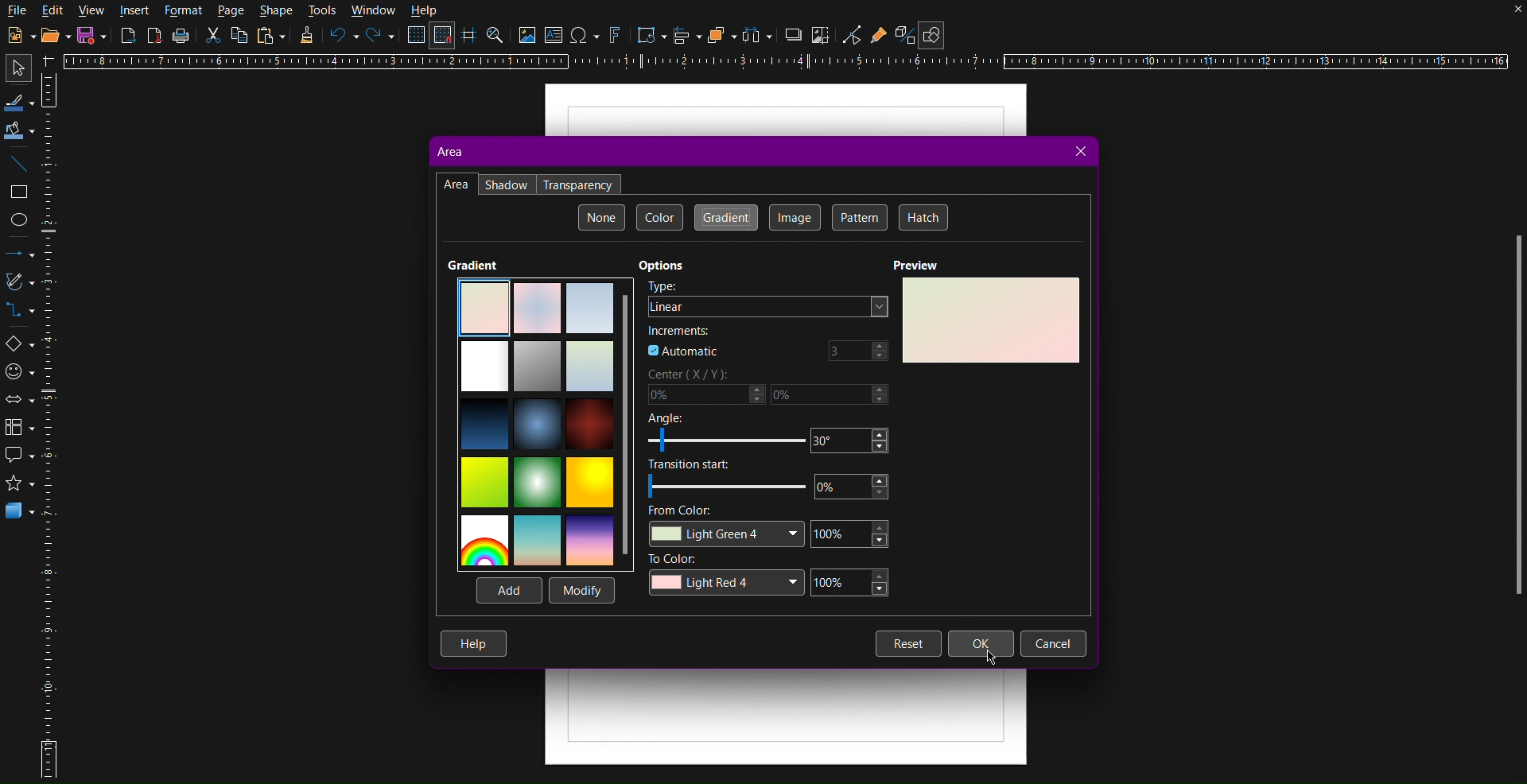 The height and width of the screenshot is (784, 1527). I want to click on cursor, so click(993, 662).